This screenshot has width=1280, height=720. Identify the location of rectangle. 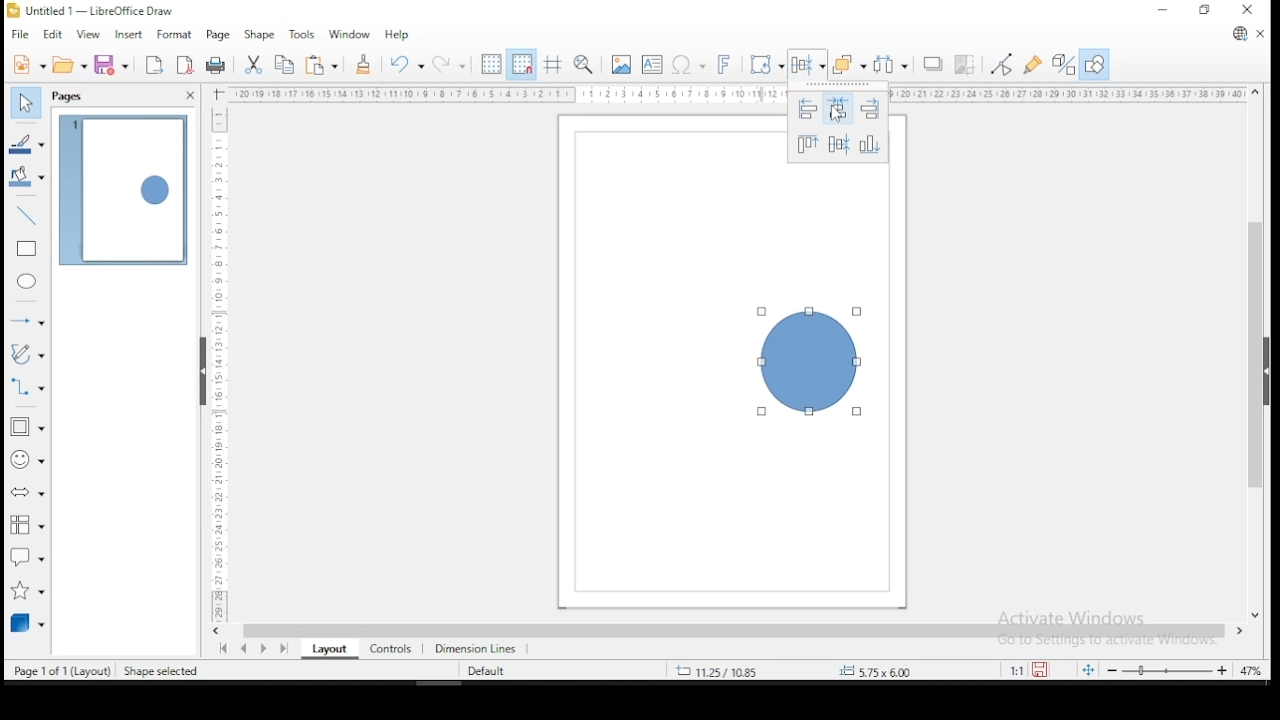
(28, 249).